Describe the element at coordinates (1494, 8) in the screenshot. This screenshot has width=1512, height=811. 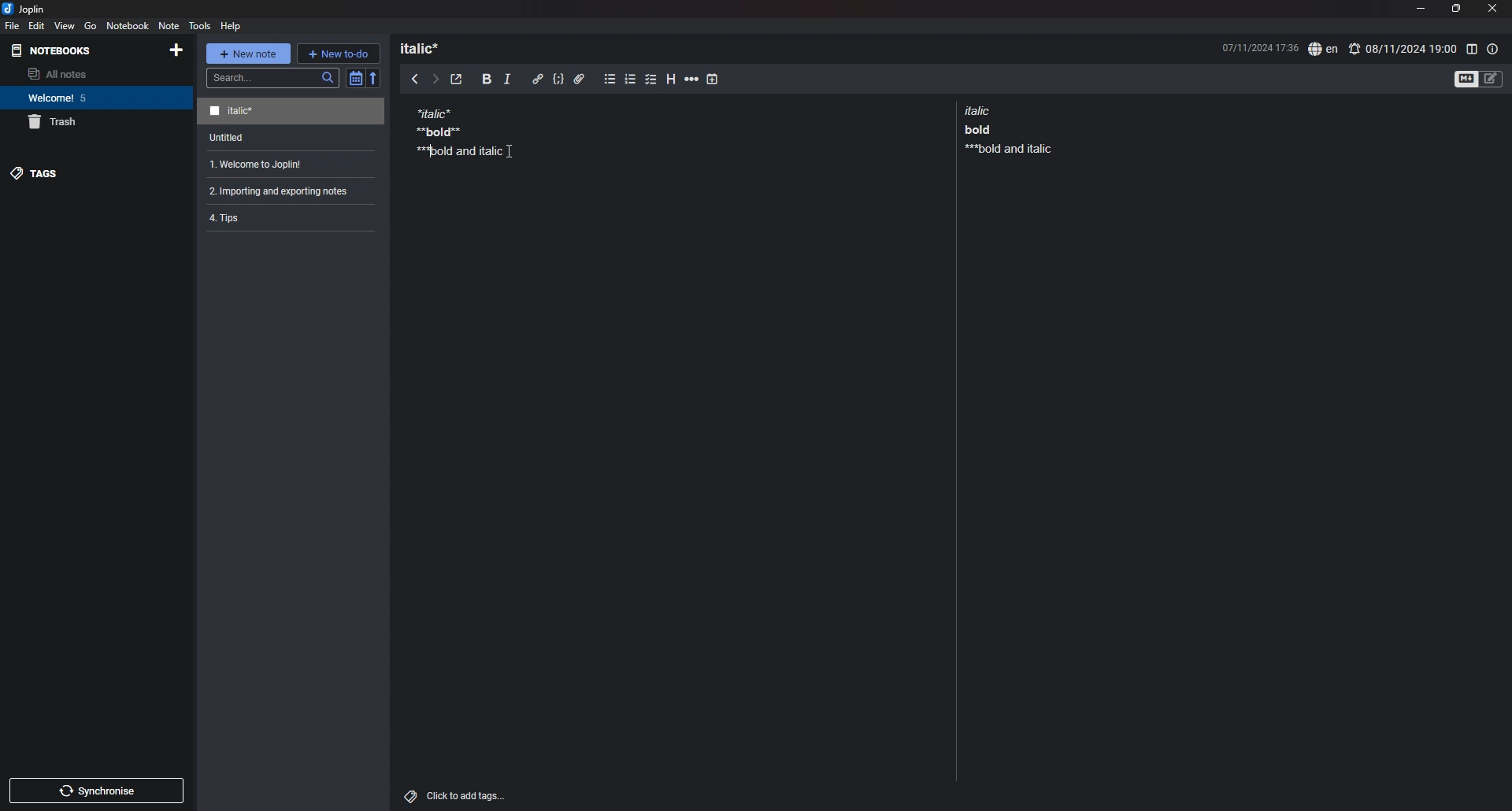
I see `close` at that location.